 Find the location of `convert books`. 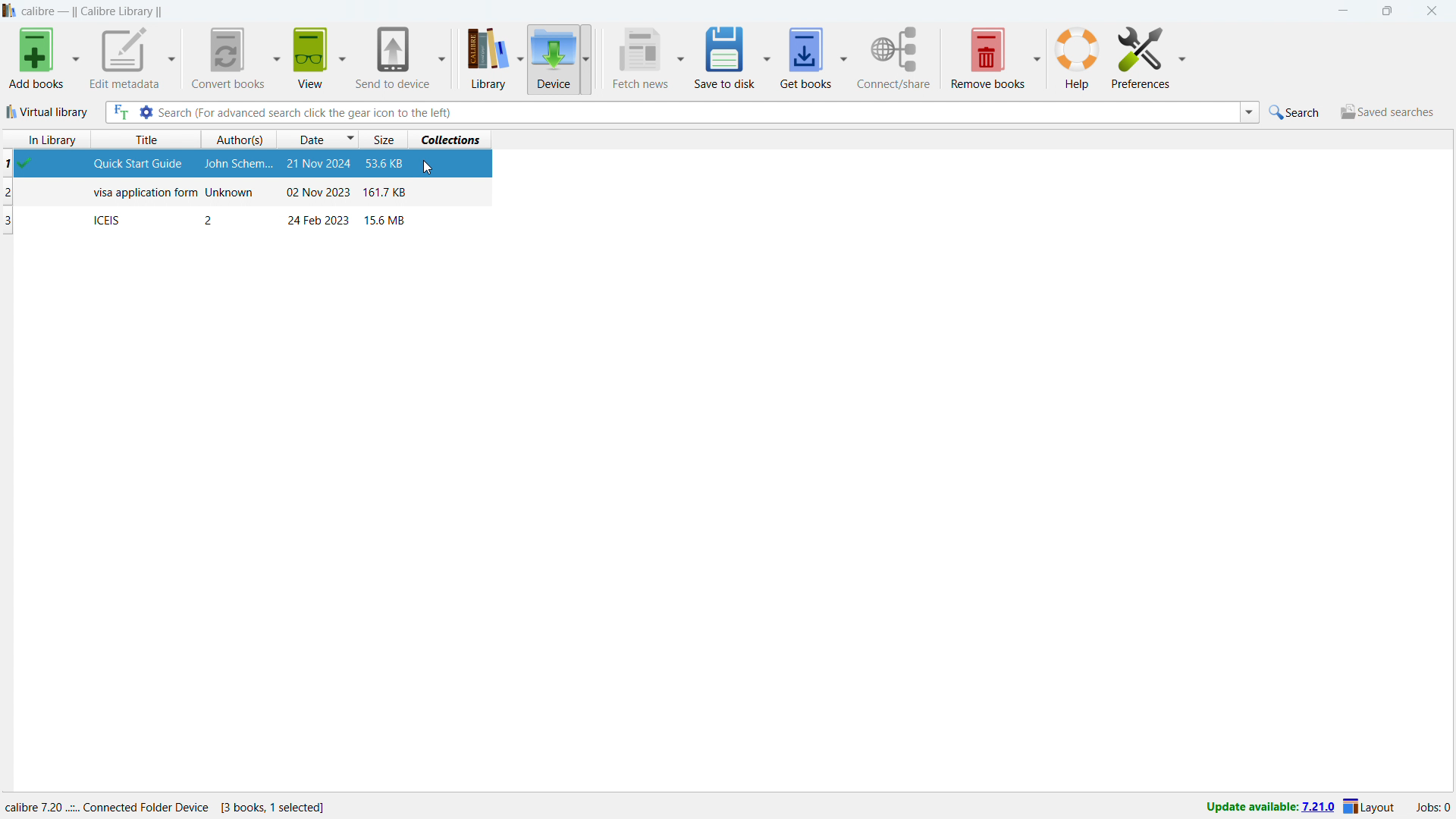

convert books is located at coordinates (225, 58).